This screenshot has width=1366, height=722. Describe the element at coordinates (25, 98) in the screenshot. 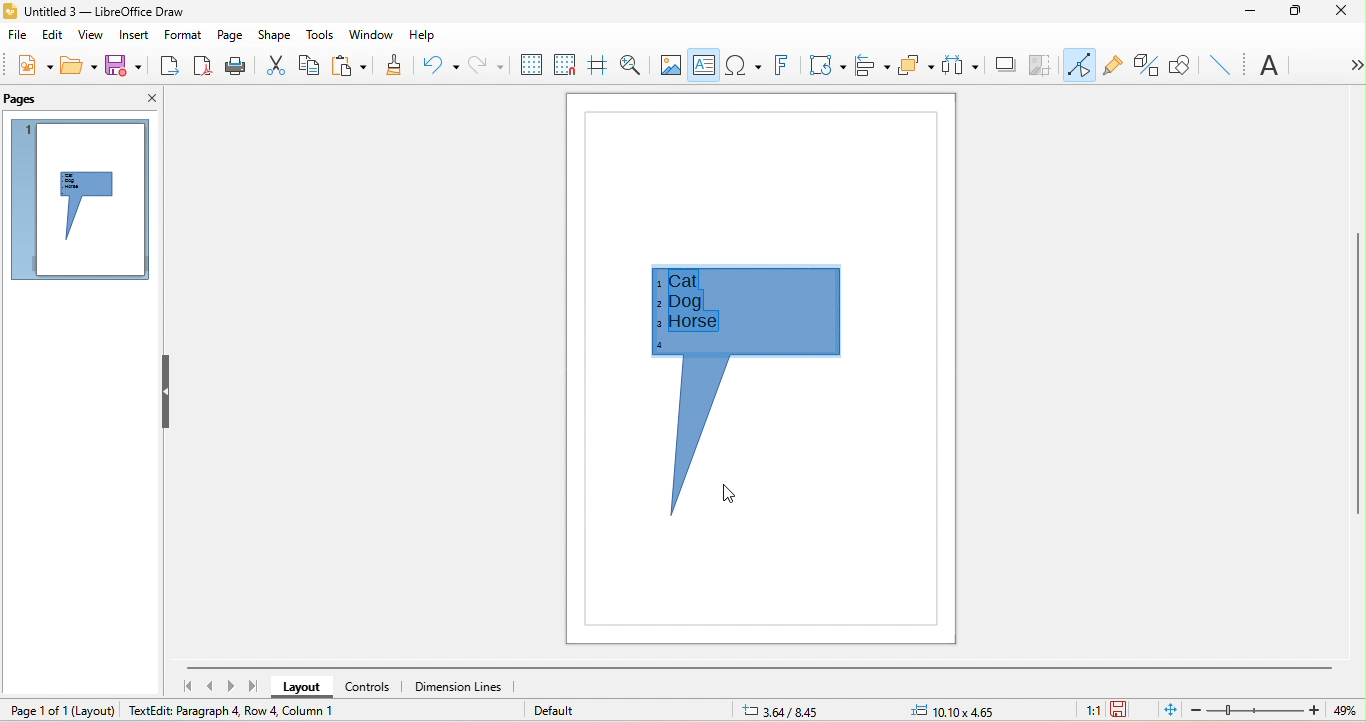

I see `pages` at that location.